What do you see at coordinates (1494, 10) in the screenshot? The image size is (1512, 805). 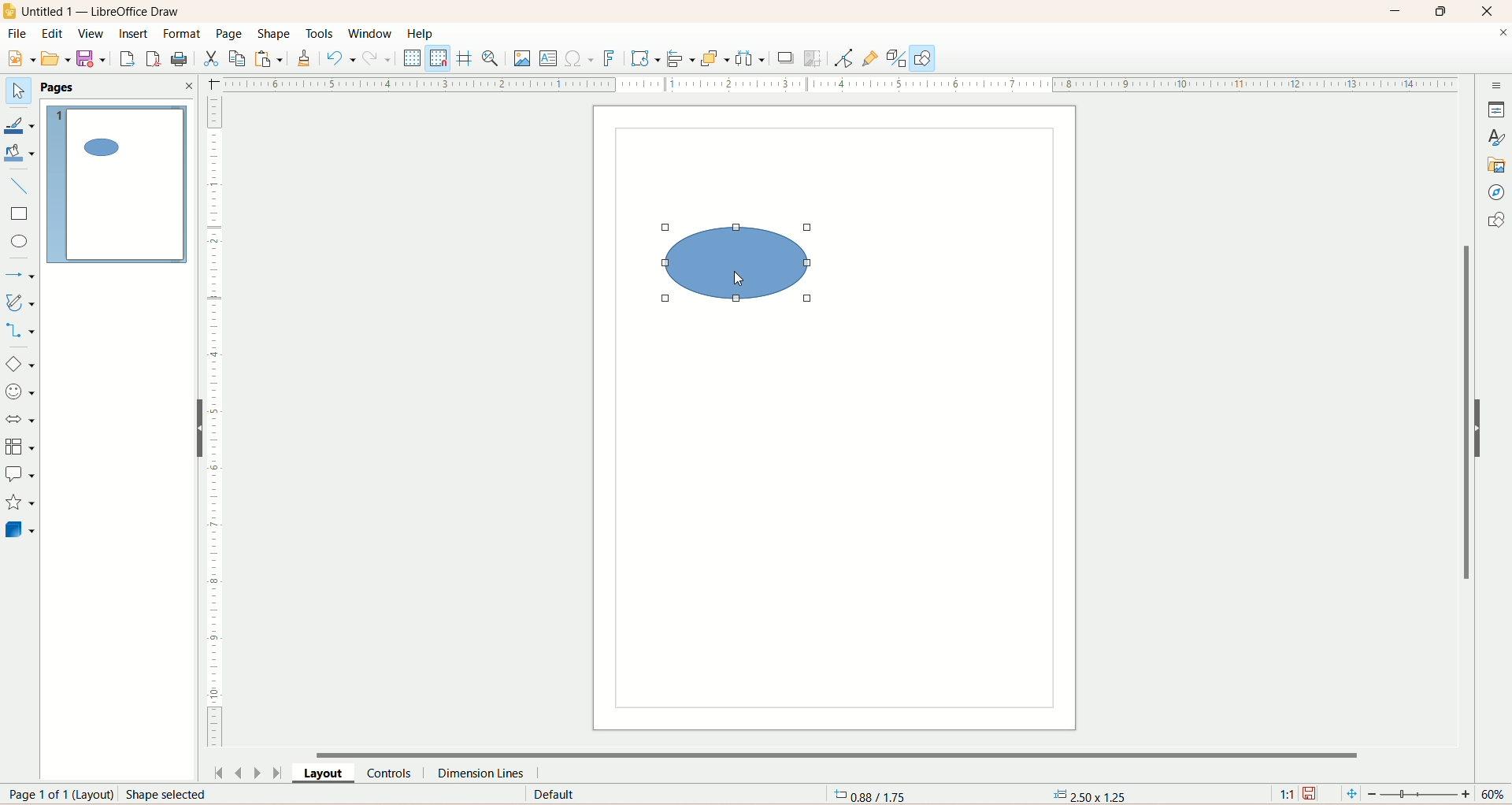 I see `close` at bounding box center [1494, 10].